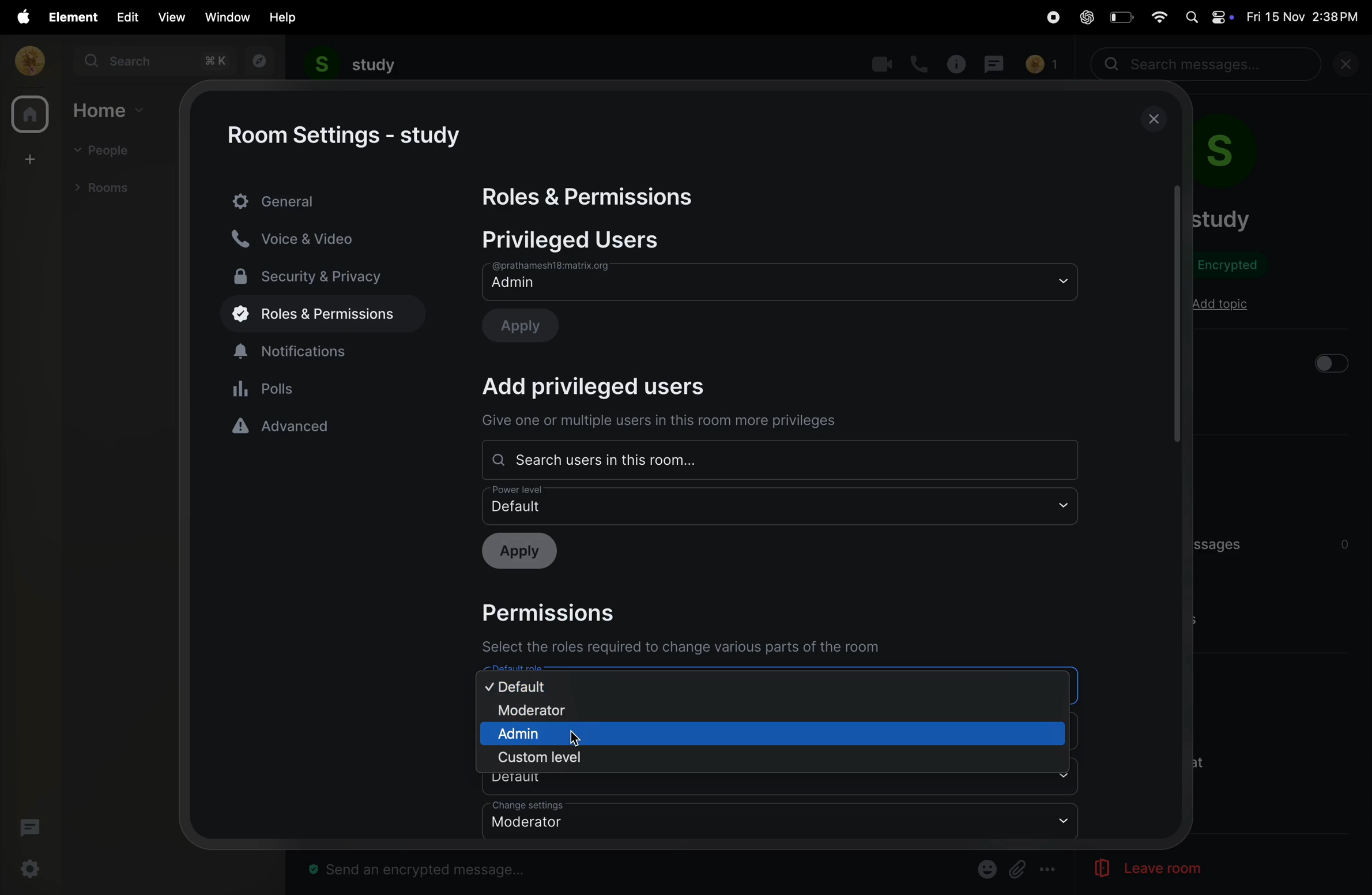 Image resolution: width=1372 pixels, height=895 pixels. What do you see at coordinates (352, 65) in the screenshot?
I see `room name` at bounding box center [352, 65].